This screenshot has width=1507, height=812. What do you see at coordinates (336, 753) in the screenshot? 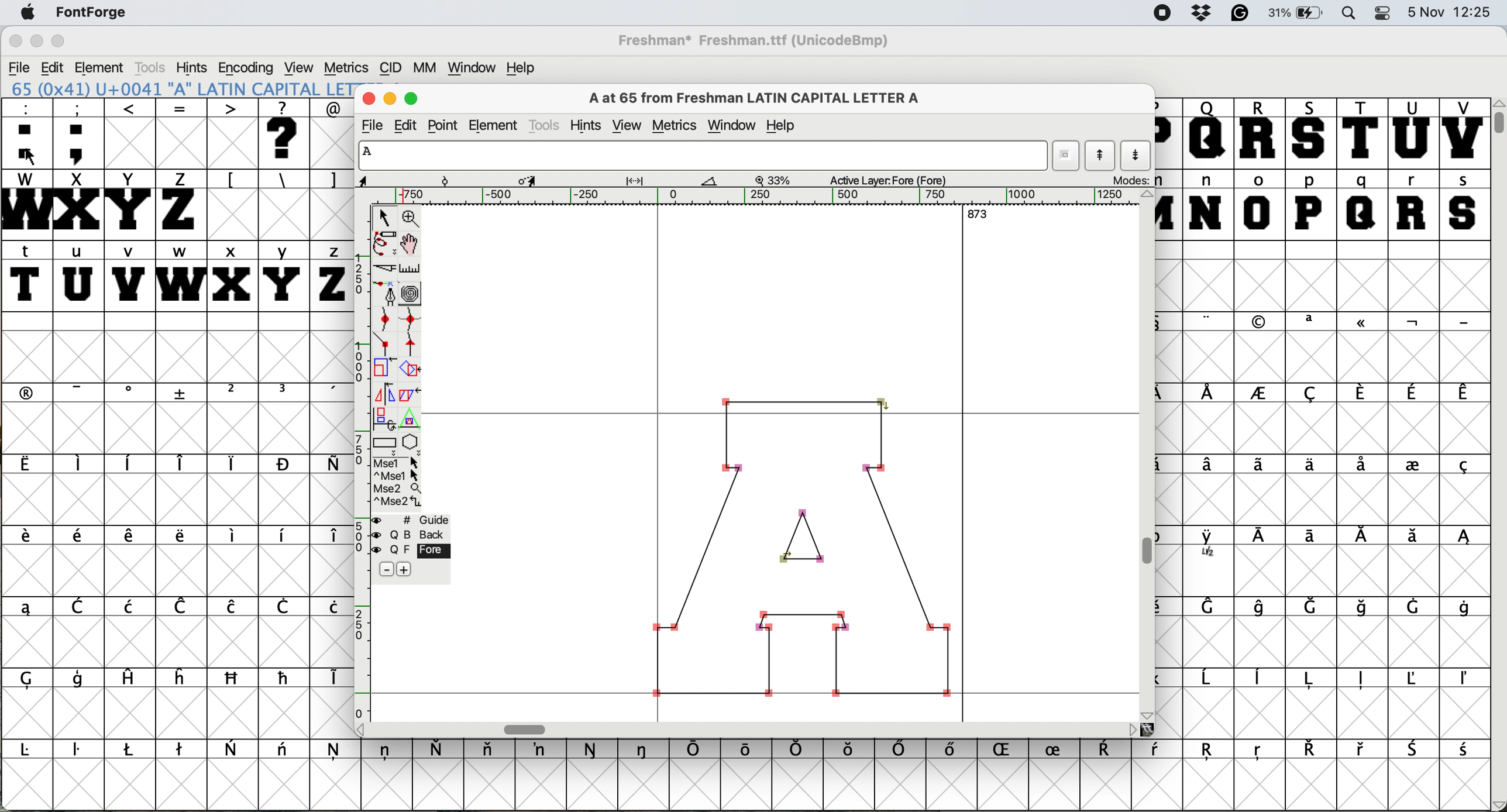
I see `symbol` at bounding box center [336, 753].